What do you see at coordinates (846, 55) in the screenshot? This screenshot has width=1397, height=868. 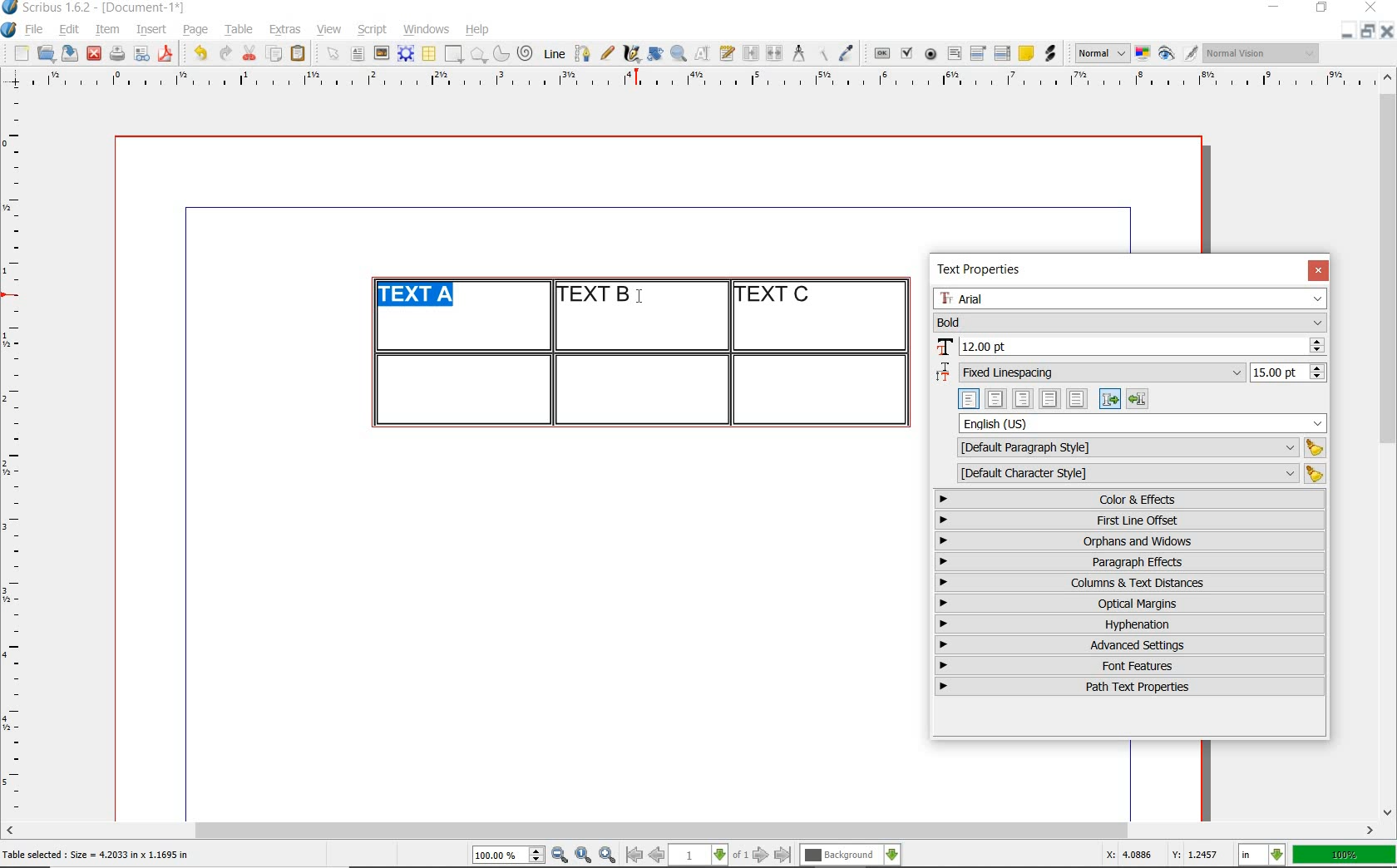 I see `eye dropper` at bounding box center [846, 55].